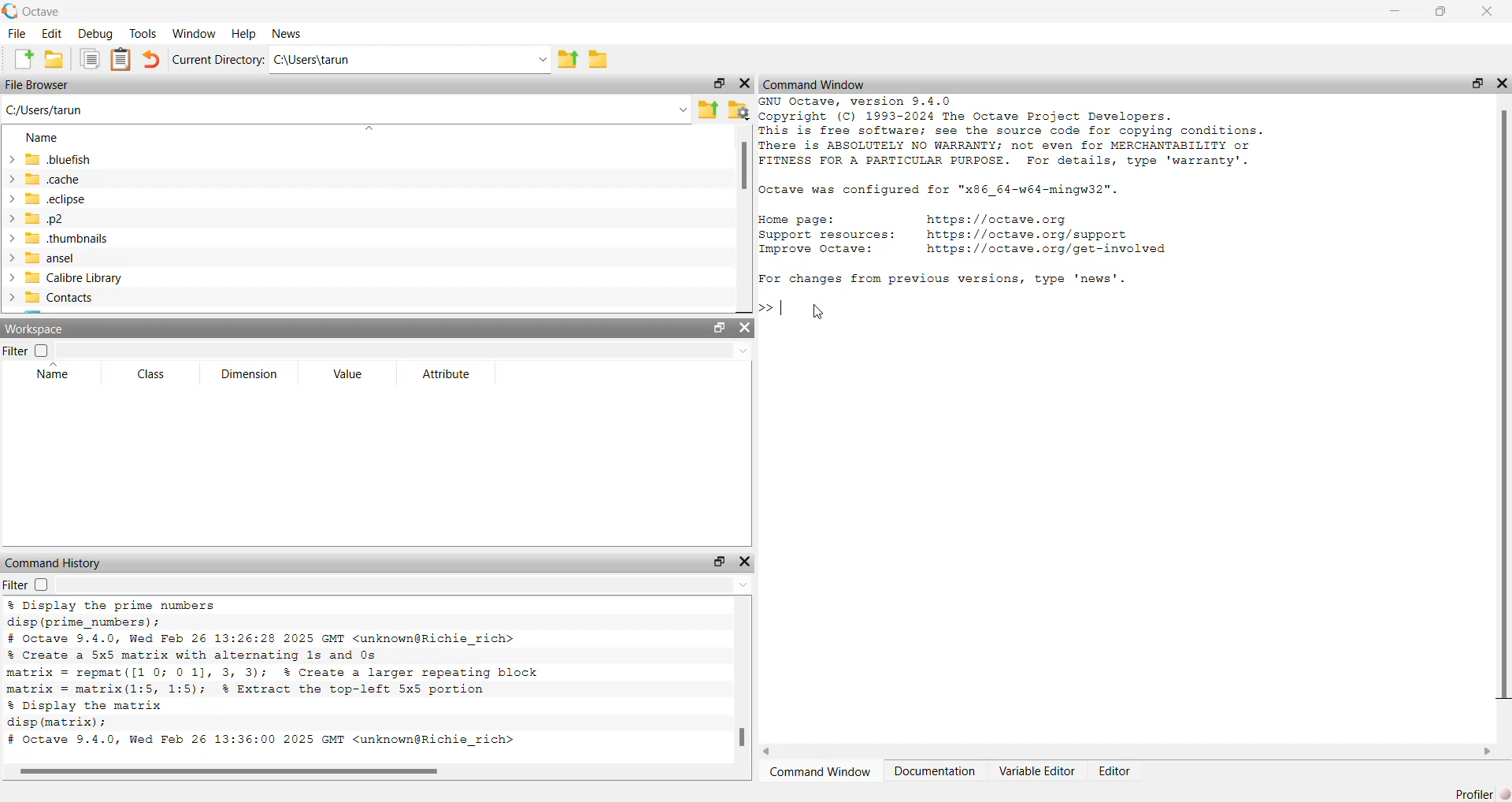  What do you see at coordinates (573, 60) in the screenshot?
I see `one directory up` at bounding box center [573, 60].